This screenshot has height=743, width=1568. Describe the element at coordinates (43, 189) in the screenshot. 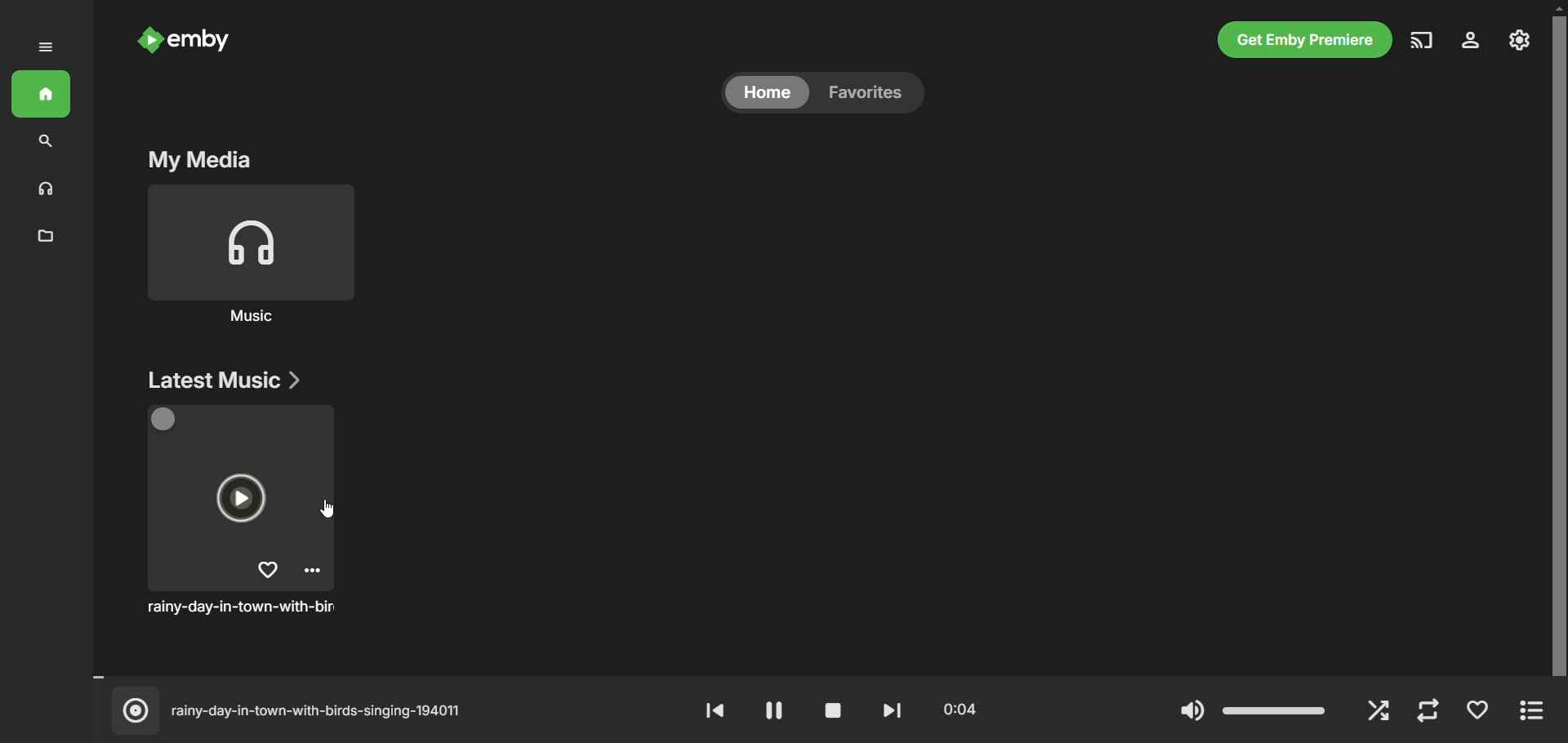

I see `music` at that location.